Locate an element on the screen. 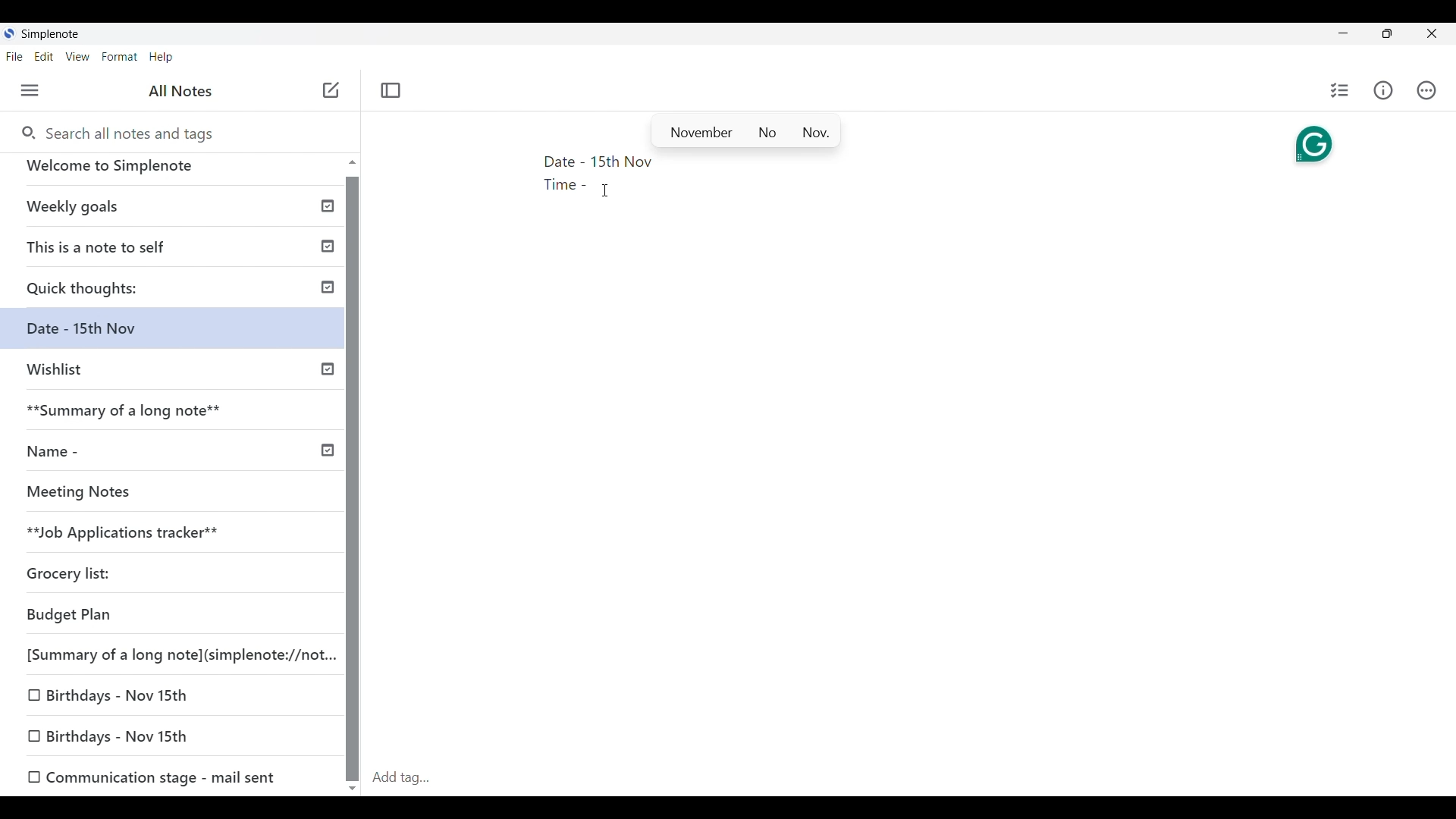 Image resolution: width=1456 pixels, height=819 pixels. Menu is located at coordinates (30, 90).